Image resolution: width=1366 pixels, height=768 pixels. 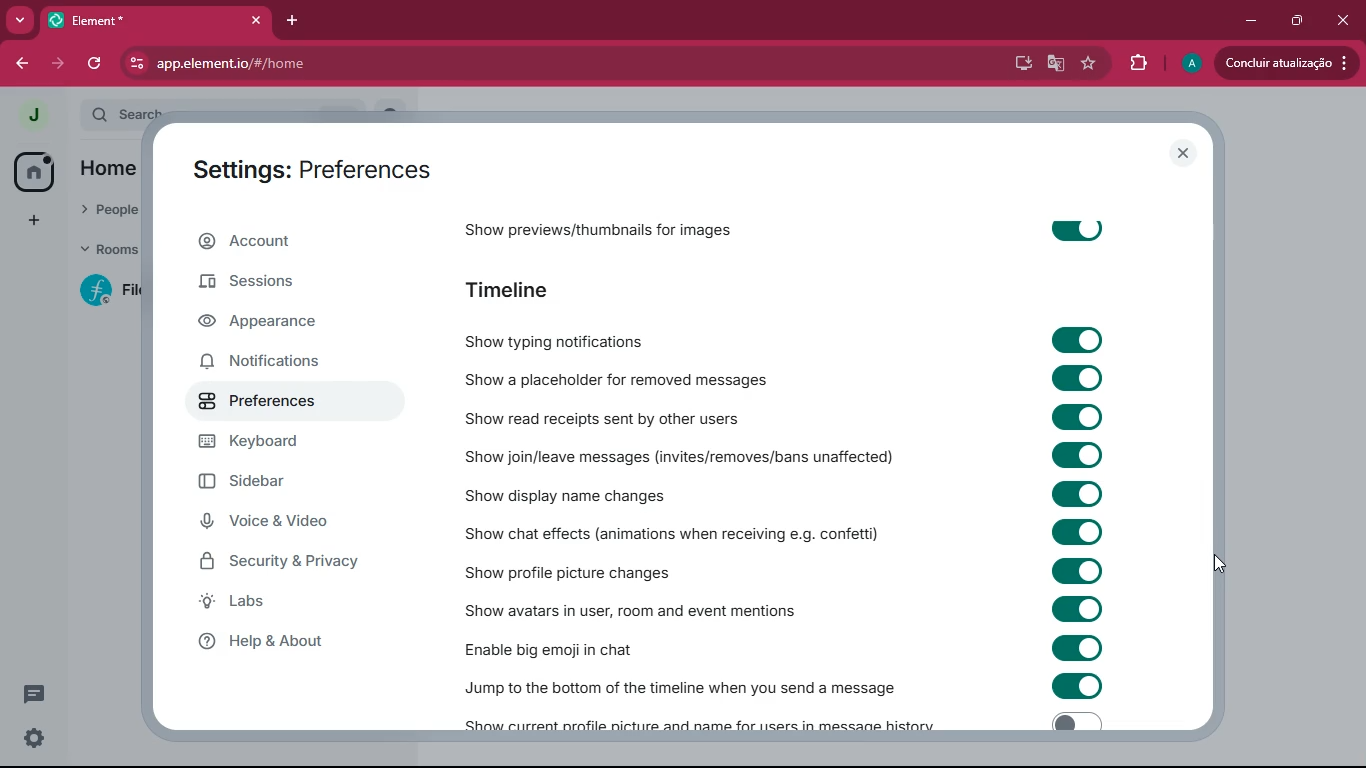 What do you see at coordinates (30, 220) in the screenshot?
I see `add` at bounding box center [30, 220].